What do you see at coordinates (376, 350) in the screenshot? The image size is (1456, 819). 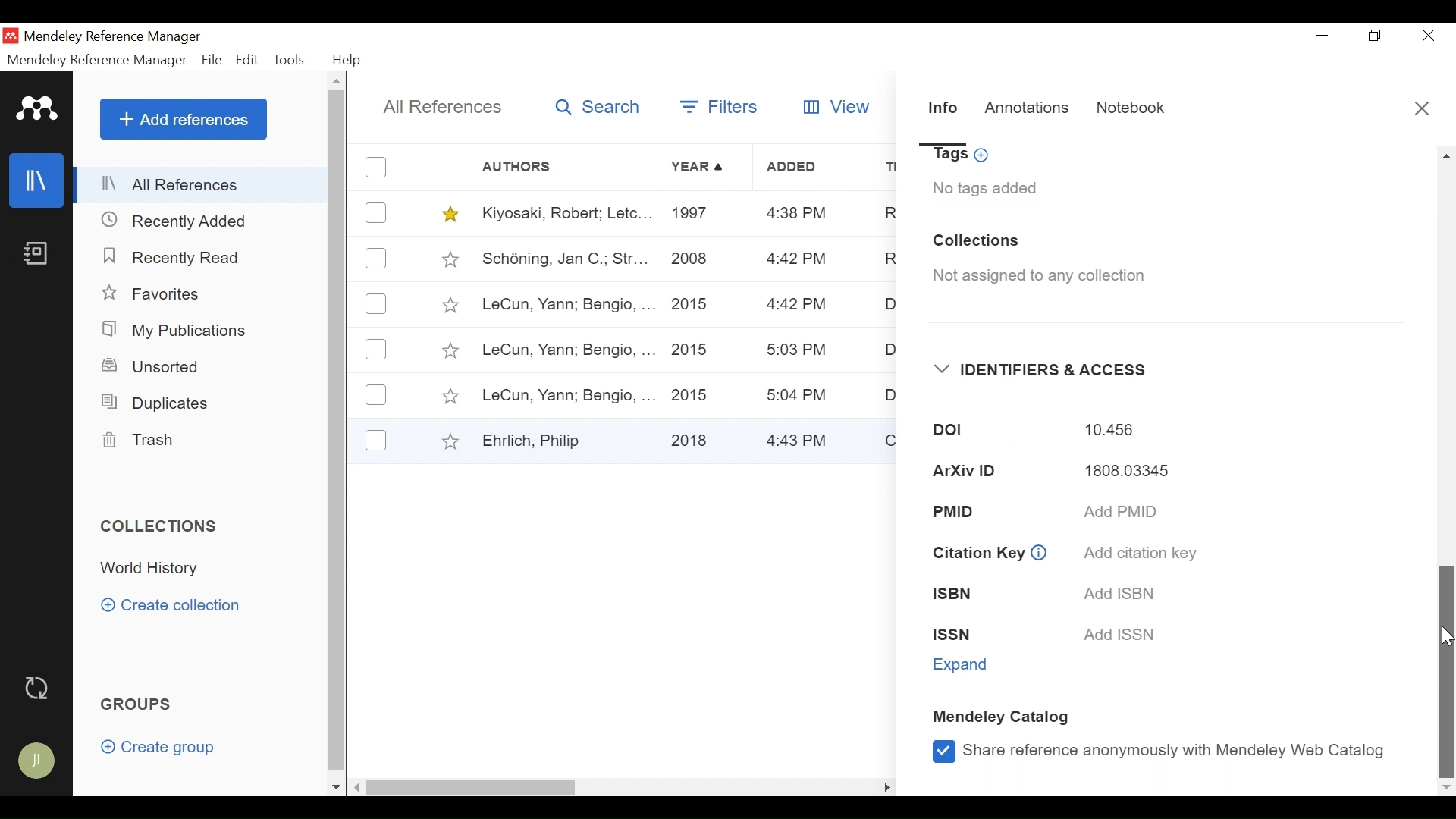 I see `(un)select` at bounding box center [376, 350].